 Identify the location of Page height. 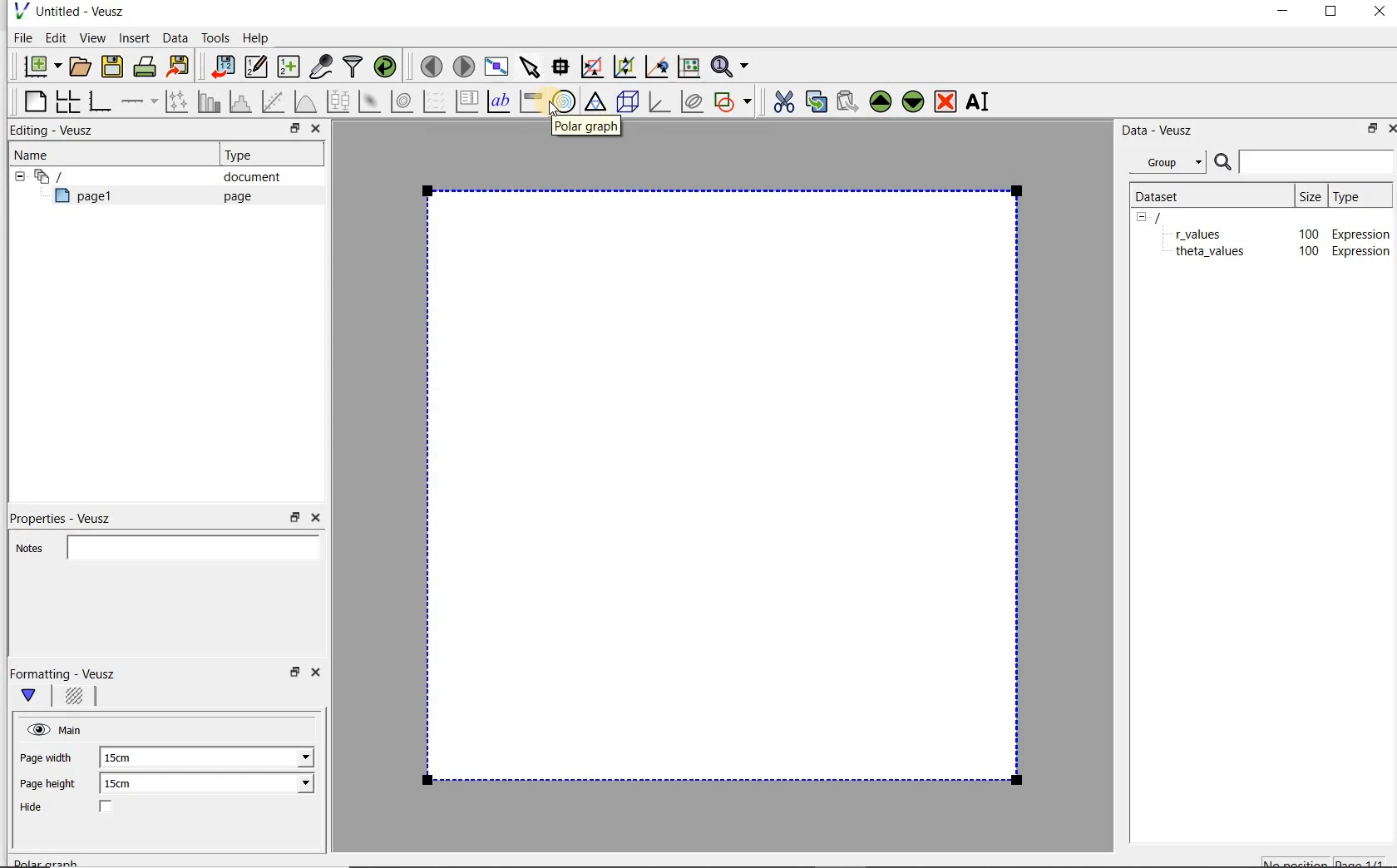
(53, 786).